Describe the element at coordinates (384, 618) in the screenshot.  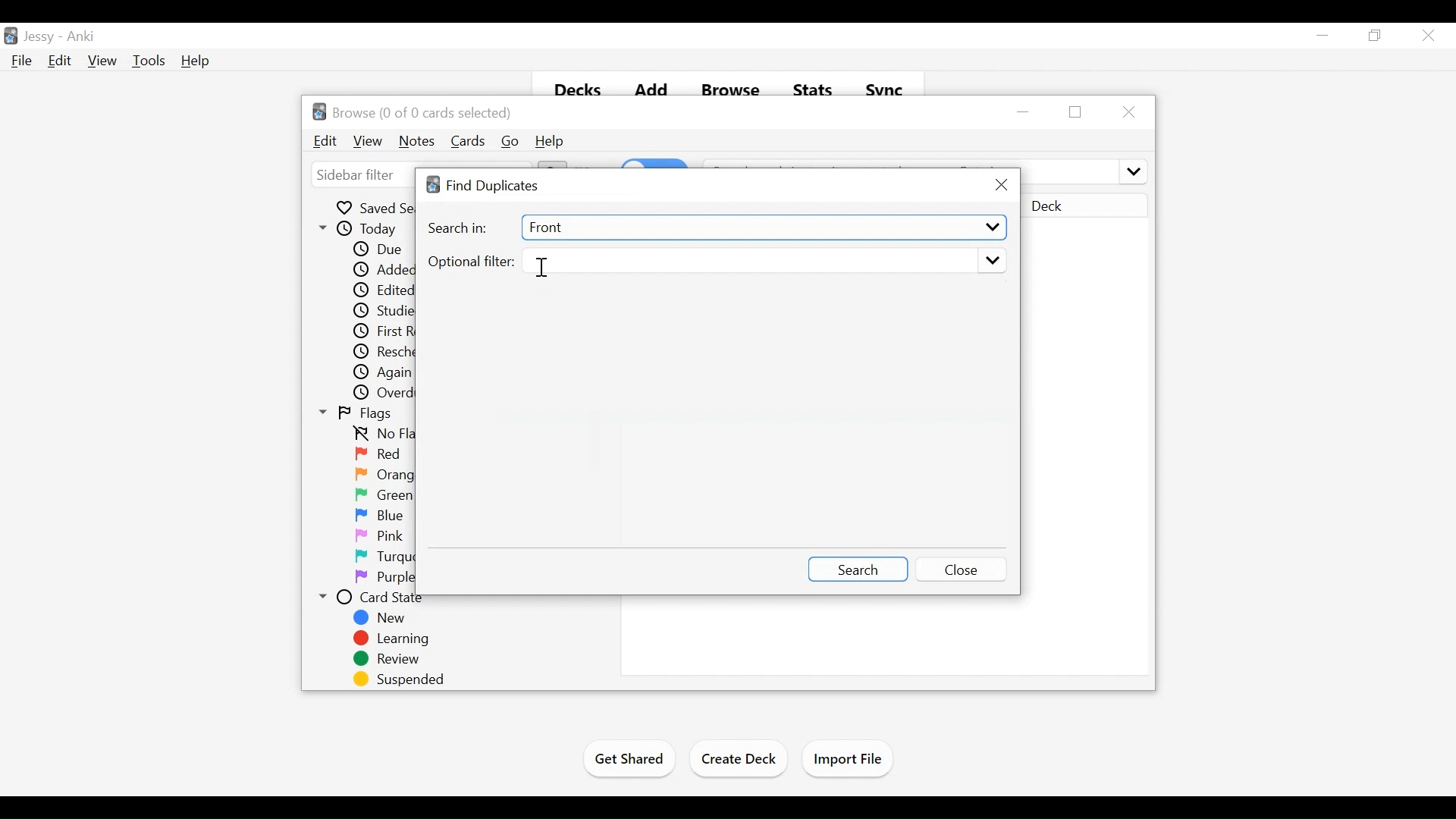
I see `New` at that location.